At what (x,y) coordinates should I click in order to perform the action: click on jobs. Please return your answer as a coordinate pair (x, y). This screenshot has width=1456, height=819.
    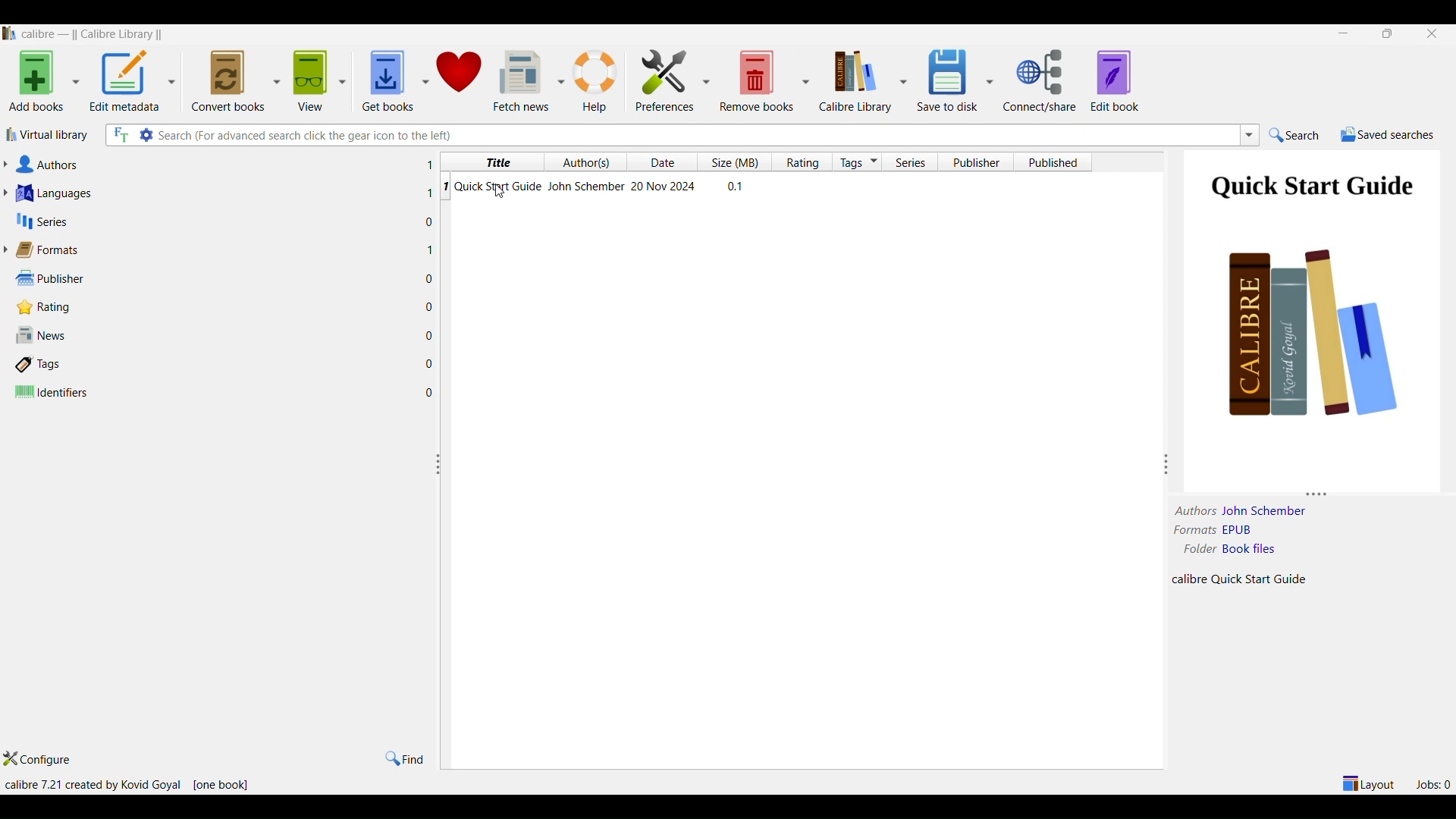
    Looking at the image, I should click on (1434, 783).